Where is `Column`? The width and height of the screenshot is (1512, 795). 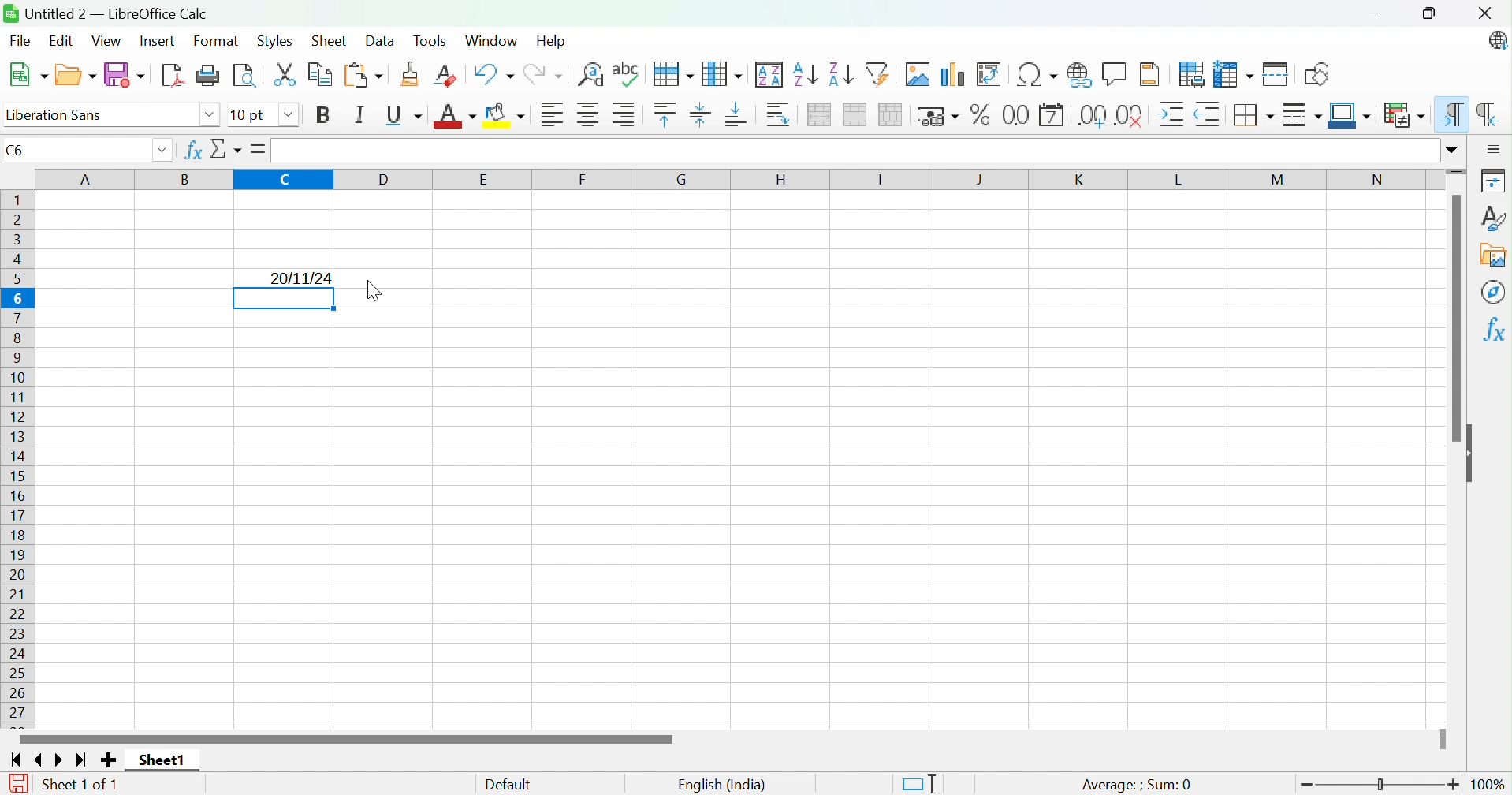
Column is located at coordinates (723, 74).